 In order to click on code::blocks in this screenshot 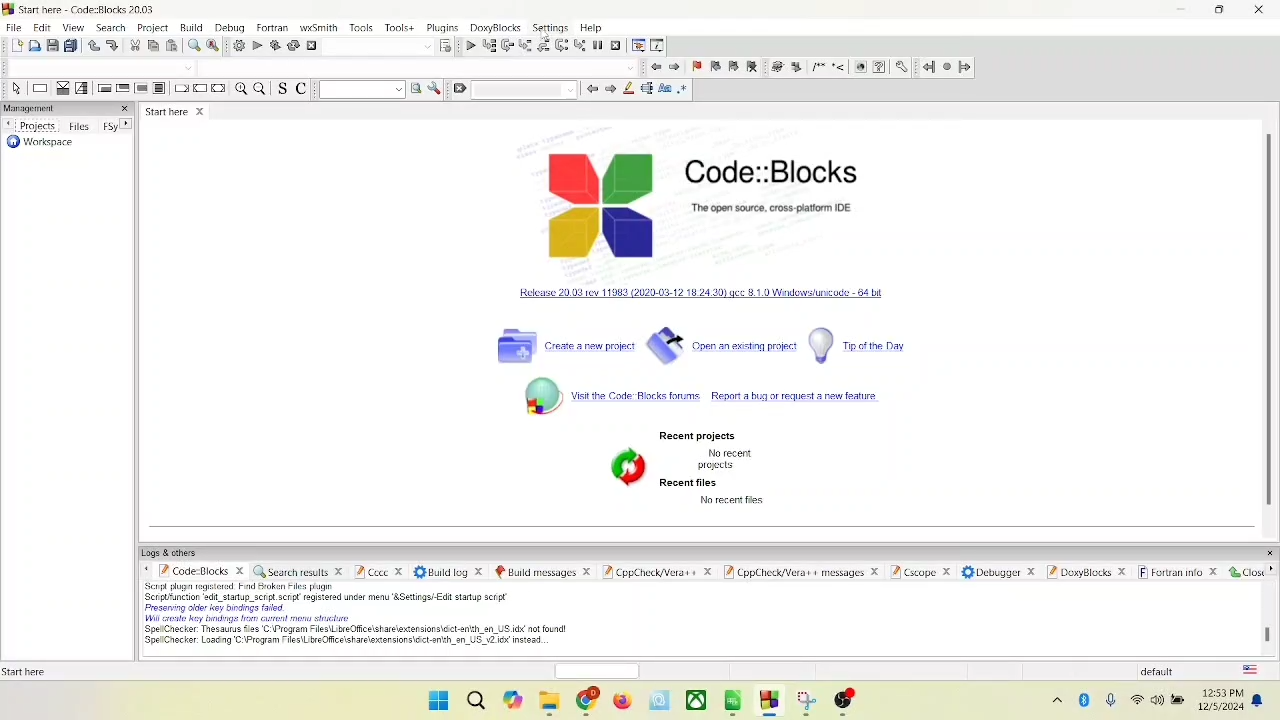, I will do `click(771, 180)`.